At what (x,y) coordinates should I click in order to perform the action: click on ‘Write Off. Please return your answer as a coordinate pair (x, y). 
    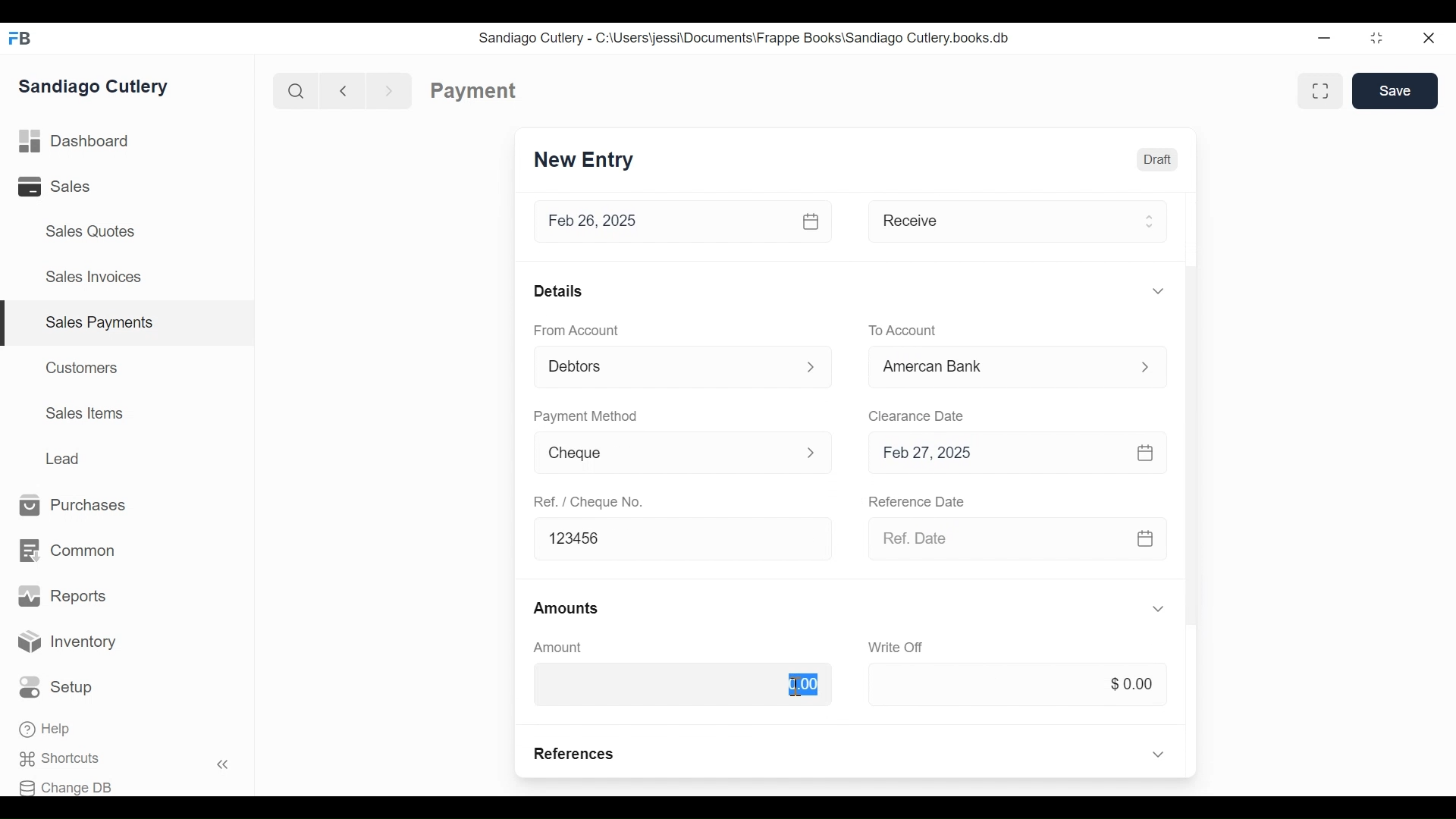
    Looking at the image, I should click on (898, 647).